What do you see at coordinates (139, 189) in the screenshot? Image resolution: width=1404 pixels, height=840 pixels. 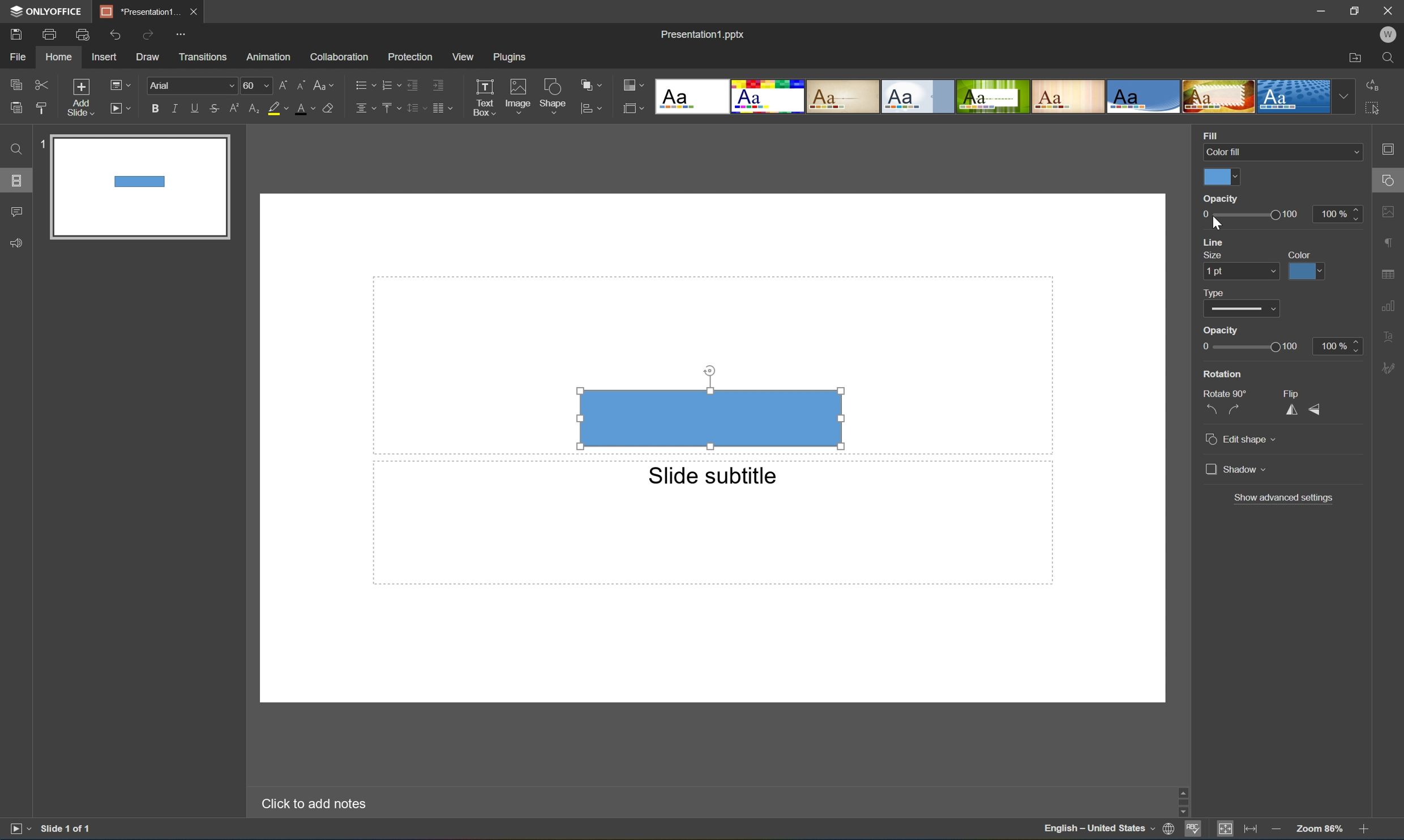 I see `Slide` at bounding box center [139, 189].